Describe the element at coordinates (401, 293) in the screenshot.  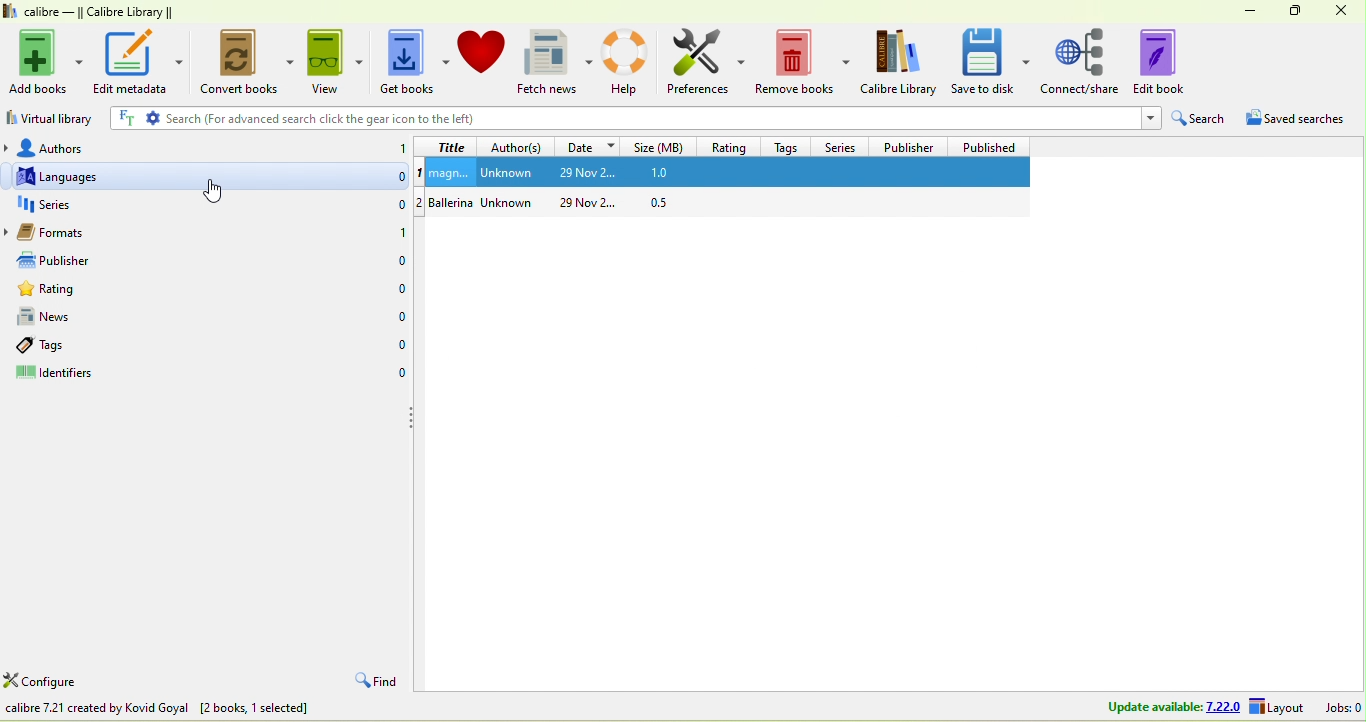
I see `0` at that location.